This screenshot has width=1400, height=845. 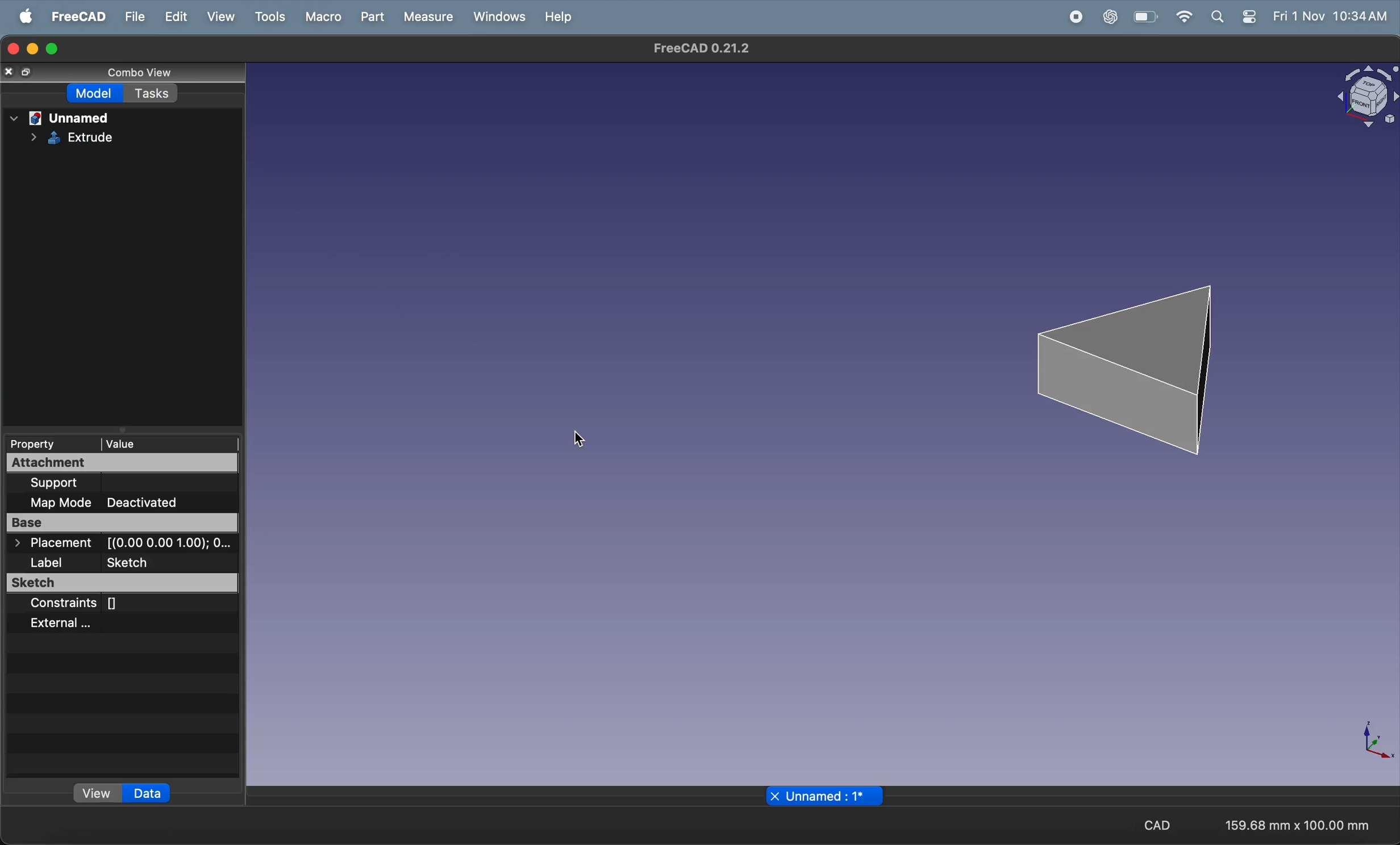 What do you see at coordinates (129, 70) in the screenshot?
I see `combo view` at bounding box center [129, 70].